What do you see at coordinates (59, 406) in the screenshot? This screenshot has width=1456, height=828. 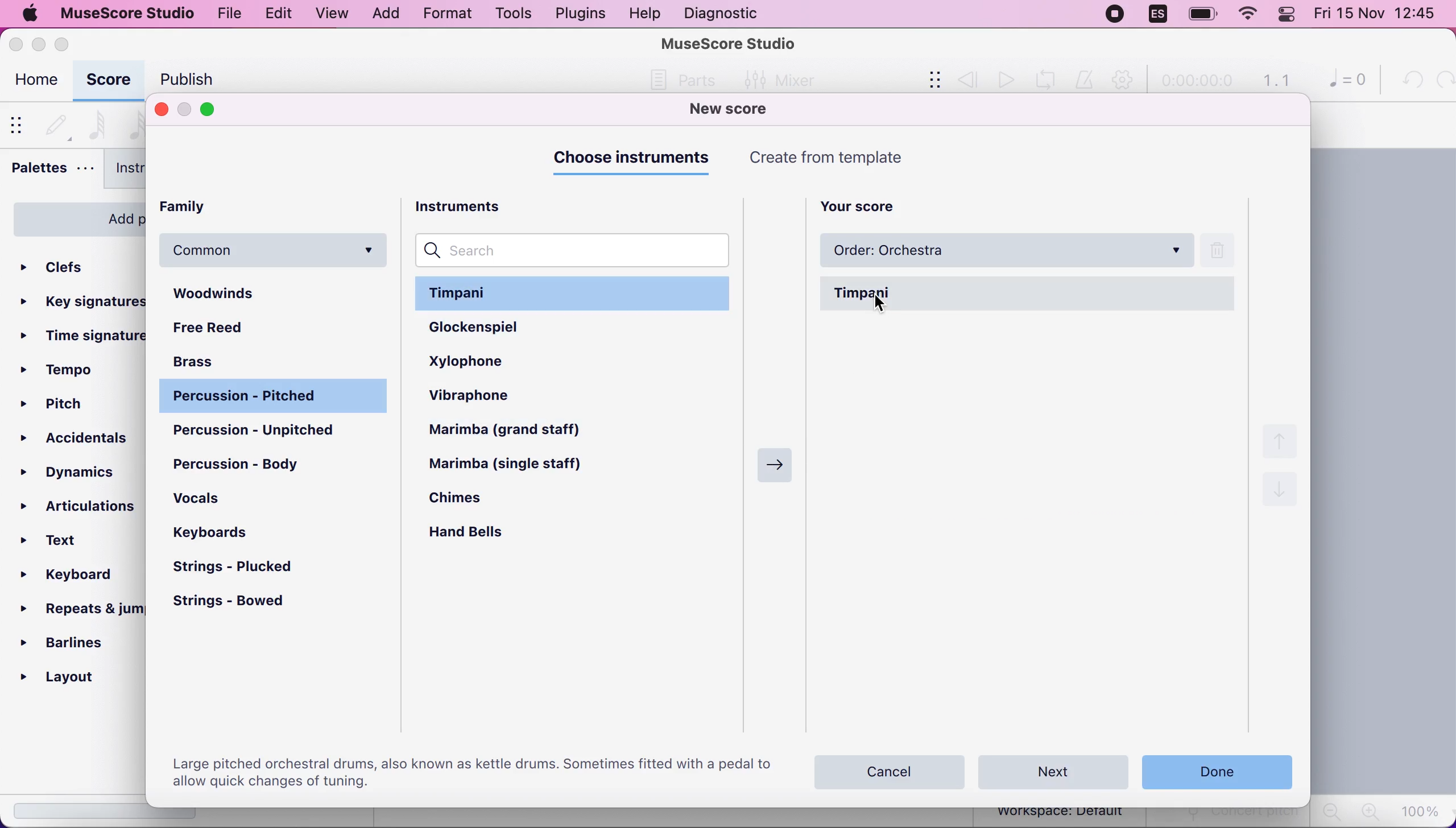 I see `pitch` at bounding box center [59, 406].